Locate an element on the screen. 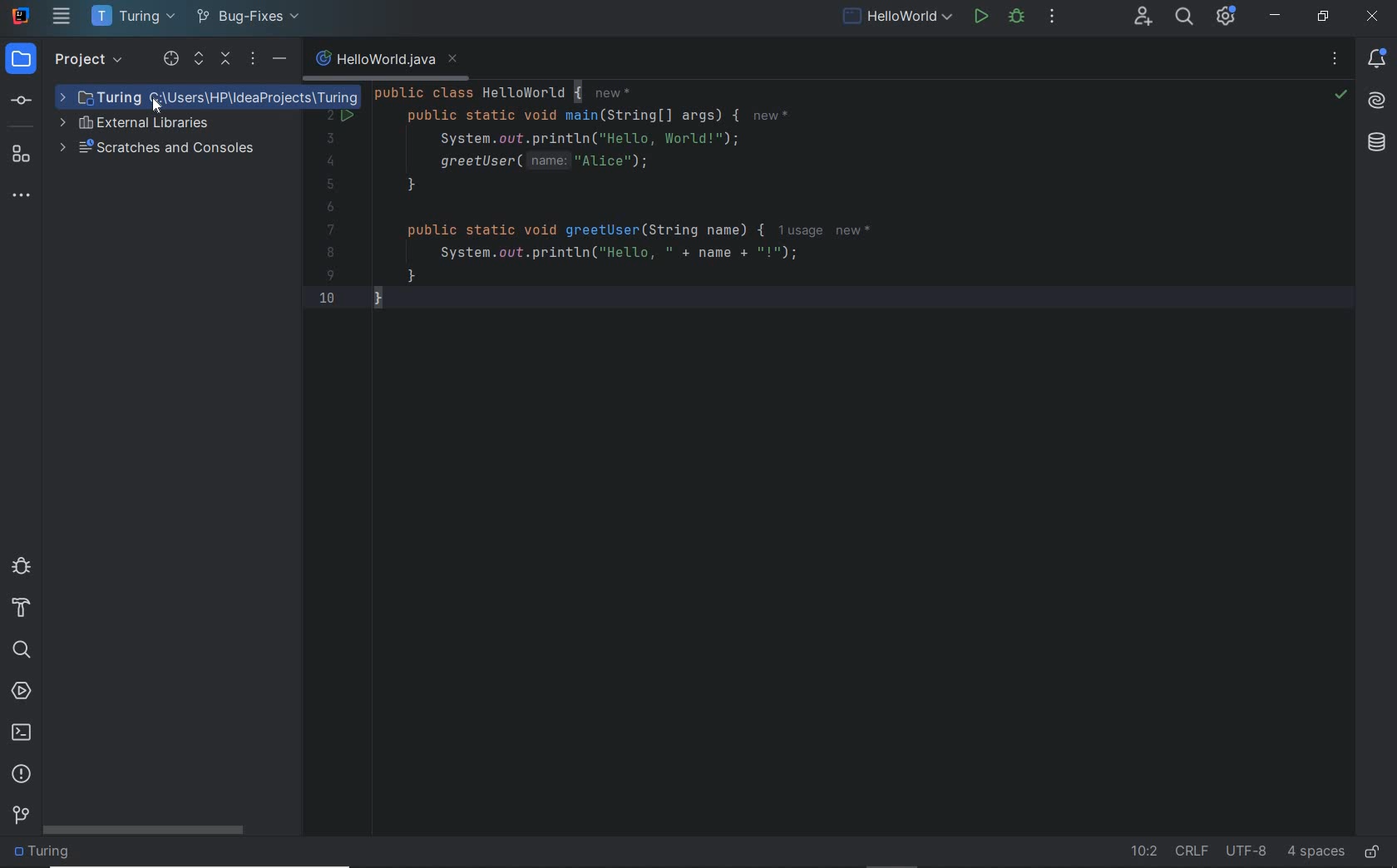 This screenshot has width=1397, height=868. problems is located at coordinates (22, 773).